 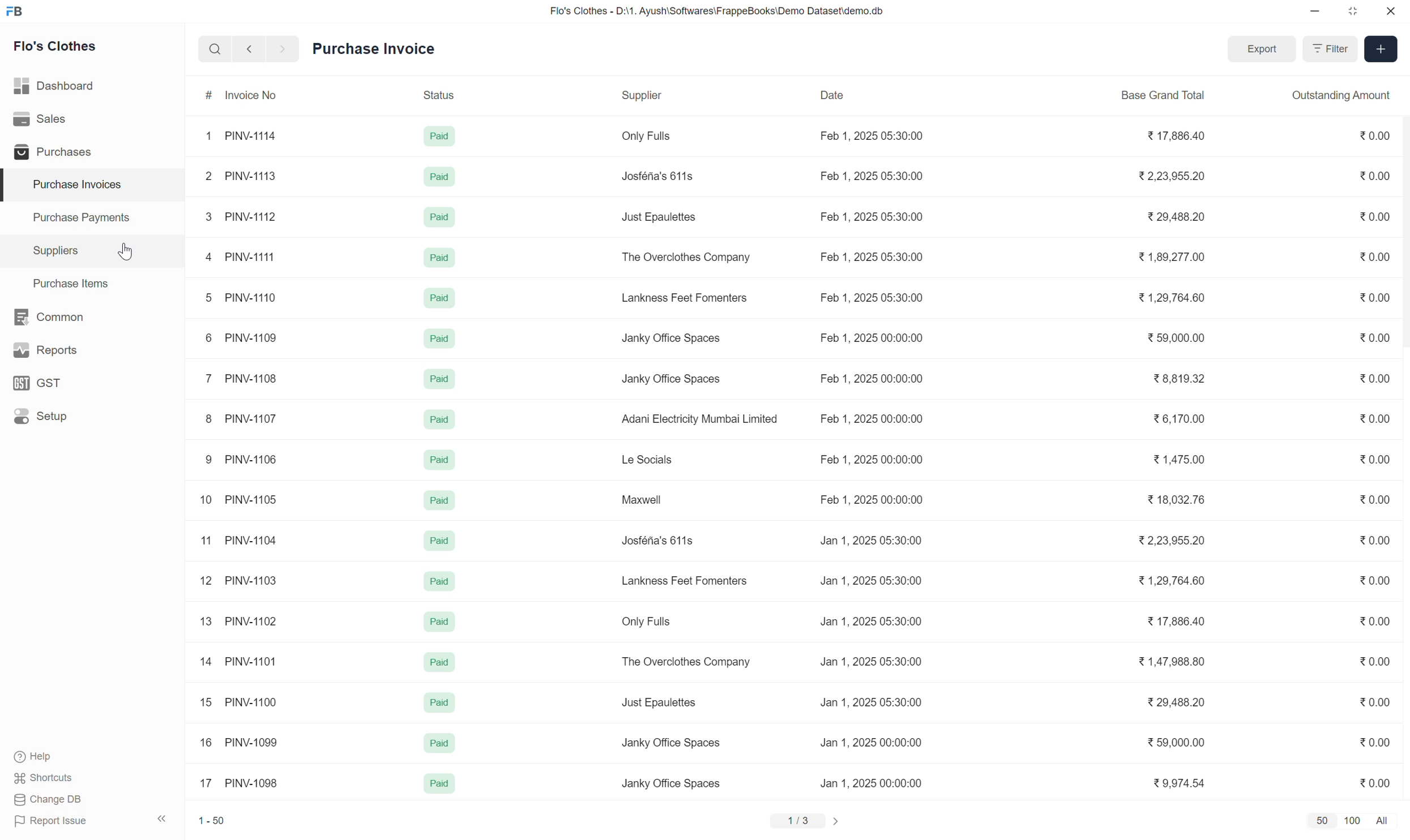 What do you see at coordinates (212, 821) in the screenshot?
I see `1-50` at bounding box center [212, 821].